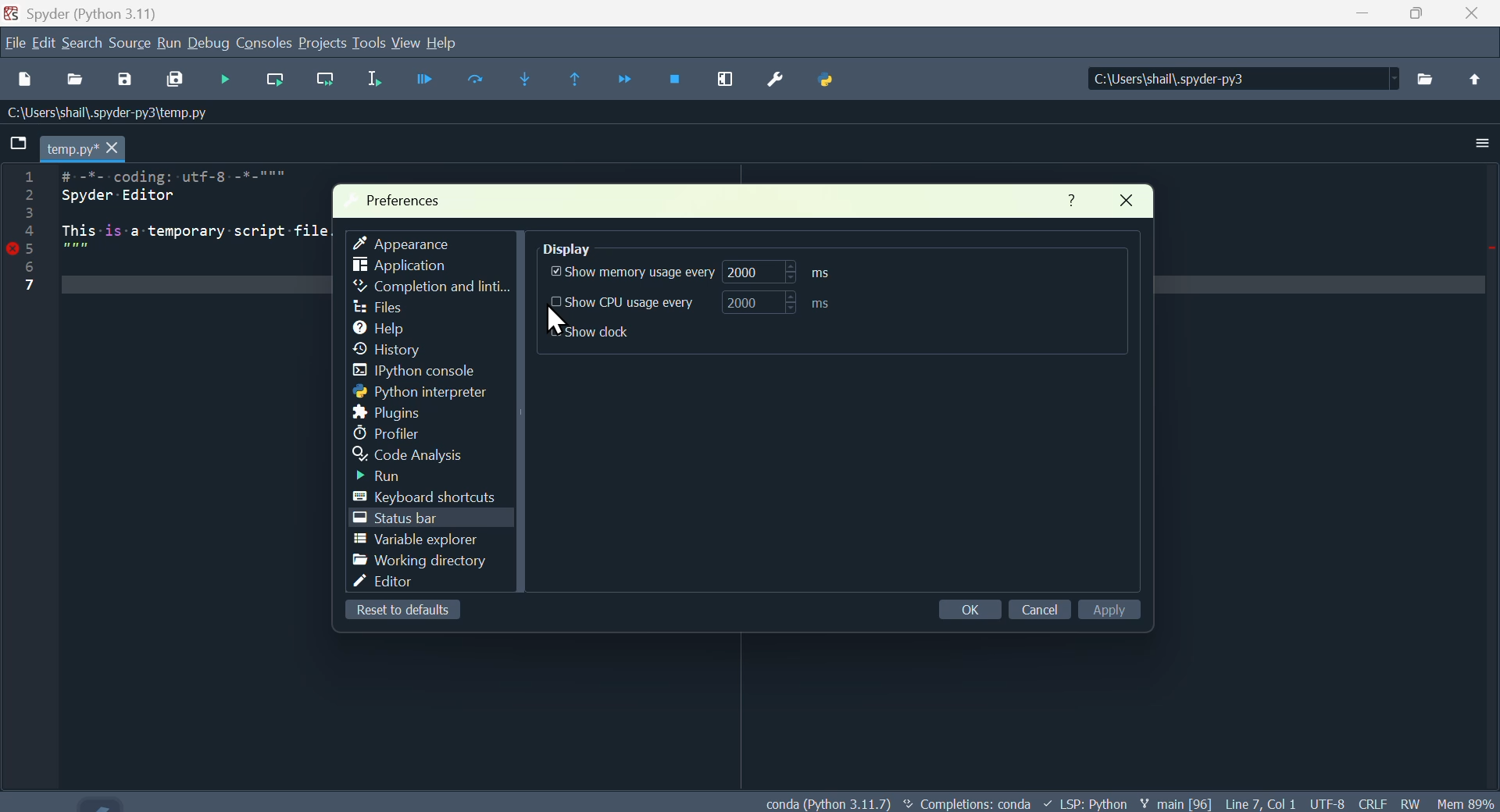 The width and height of the screenshot is (1500, 812). What do you see at coordinates (130, 80) in the screenshot?
I see `Save as` at bounding box center [130, 80].